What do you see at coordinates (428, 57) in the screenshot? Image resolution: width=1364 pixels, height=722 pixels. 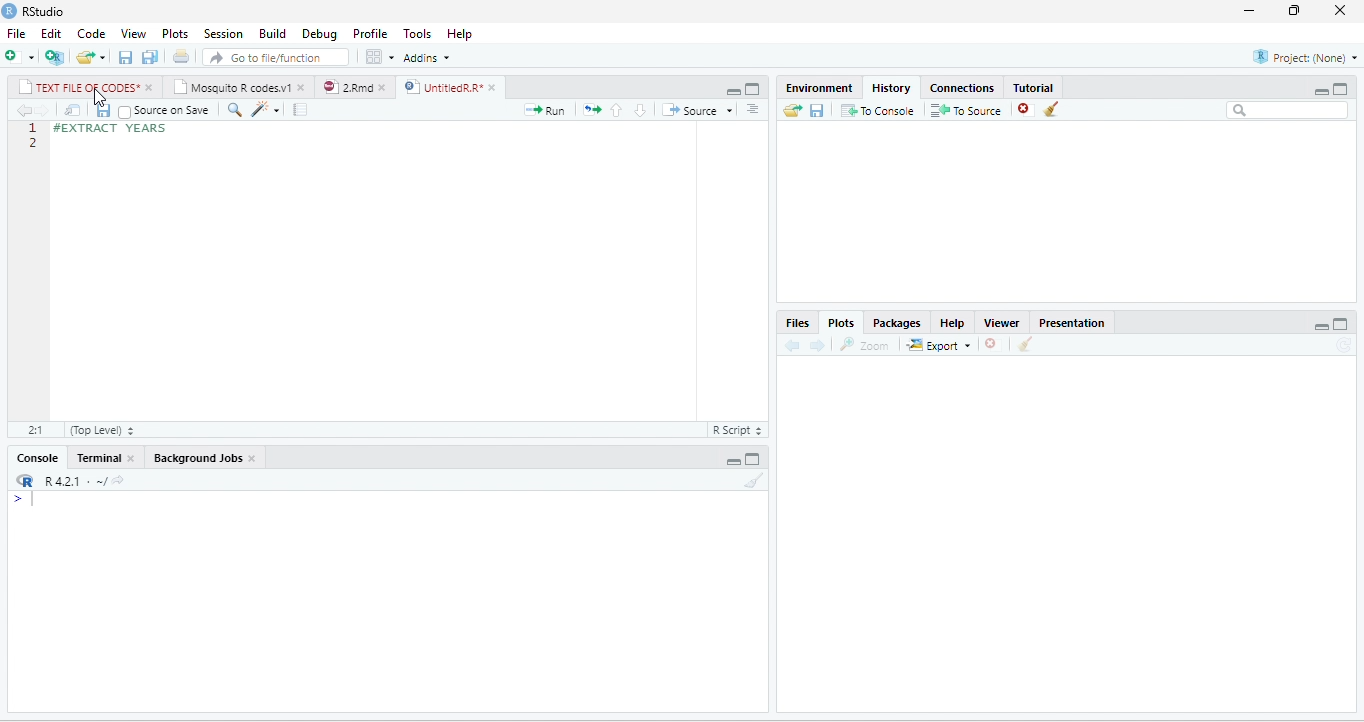 I see `Addins` at bounding box center [428, 57].